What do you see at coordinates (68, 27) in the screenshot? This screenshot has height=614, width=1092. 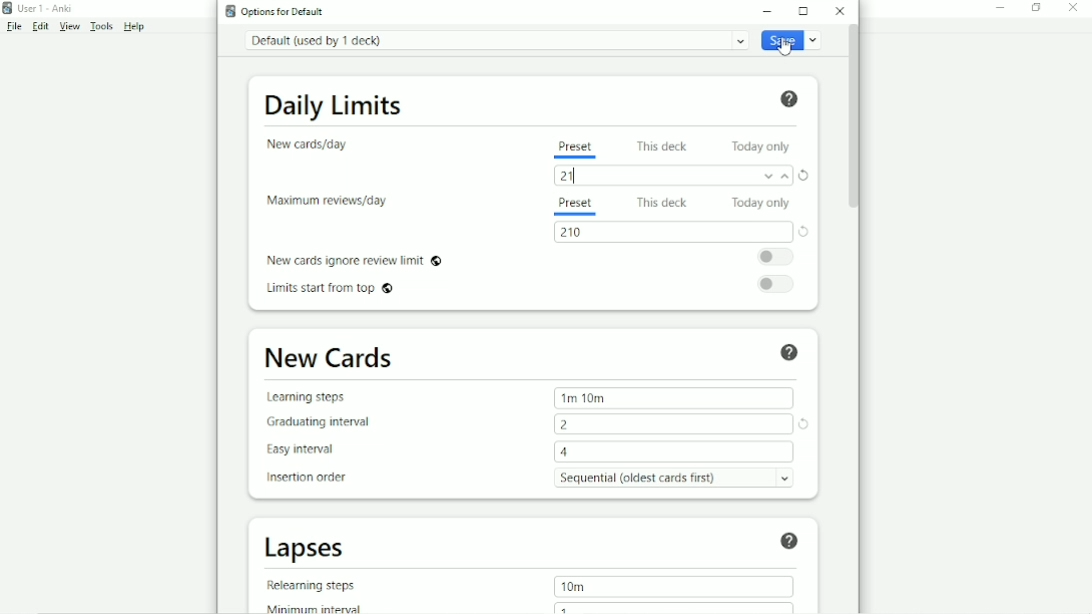 I see `View` at bounding box center [68, 27].